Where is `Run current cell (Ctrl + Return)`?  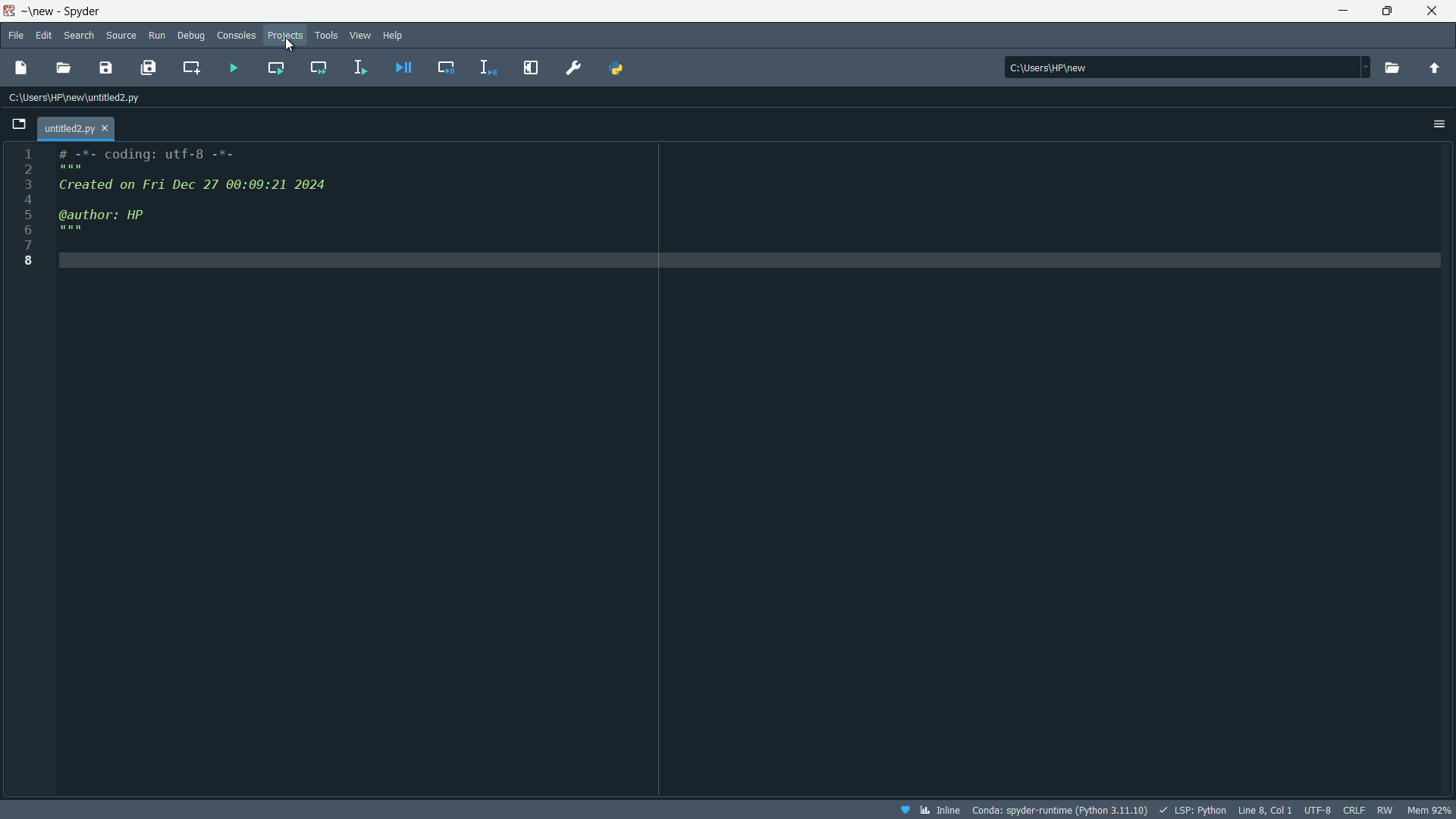
Run current cell (Ctrl + Return) is located at coordinates (275, 65).